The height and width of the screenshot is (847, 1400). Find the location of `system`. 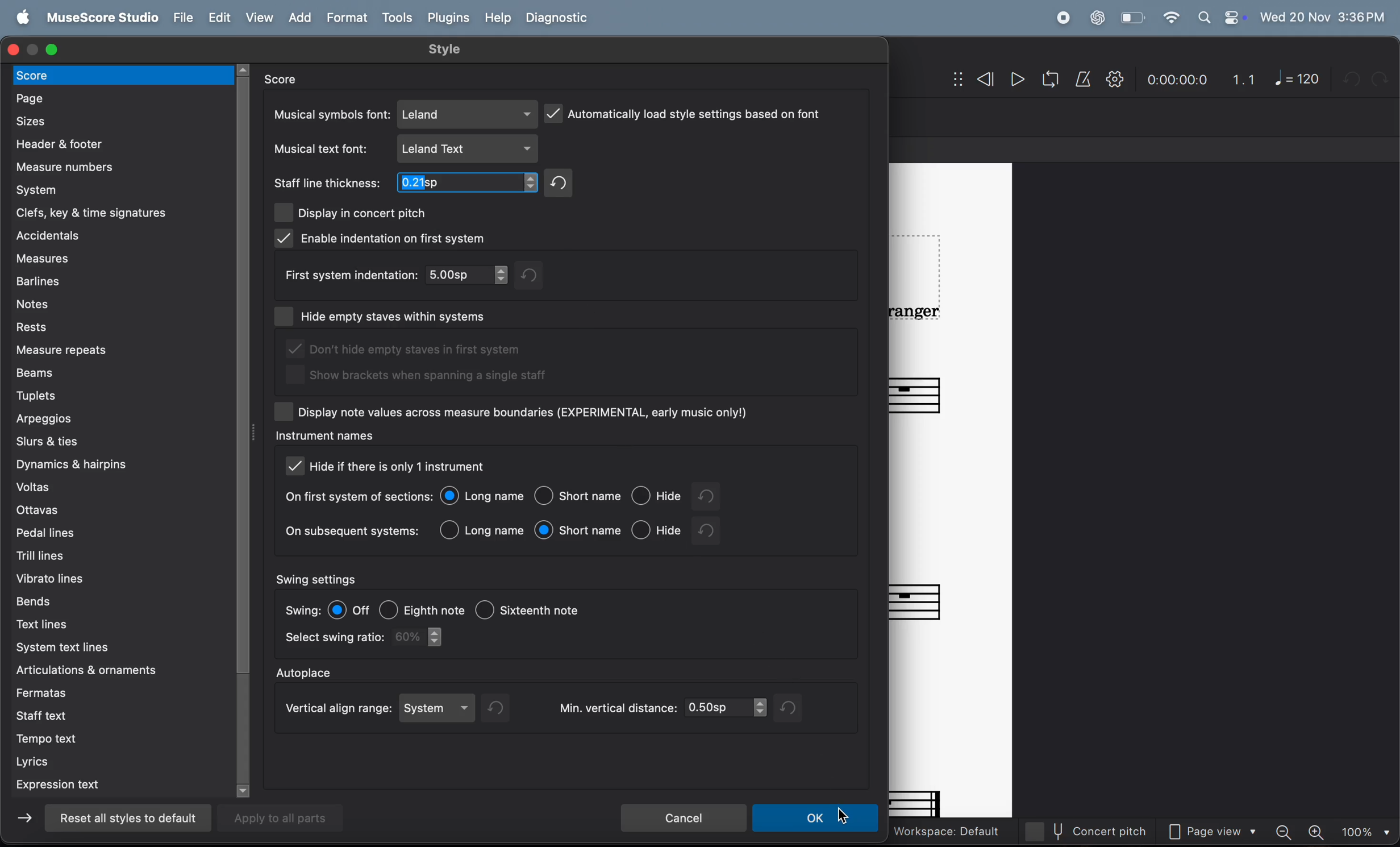

system is located at coordinates (440, 708).